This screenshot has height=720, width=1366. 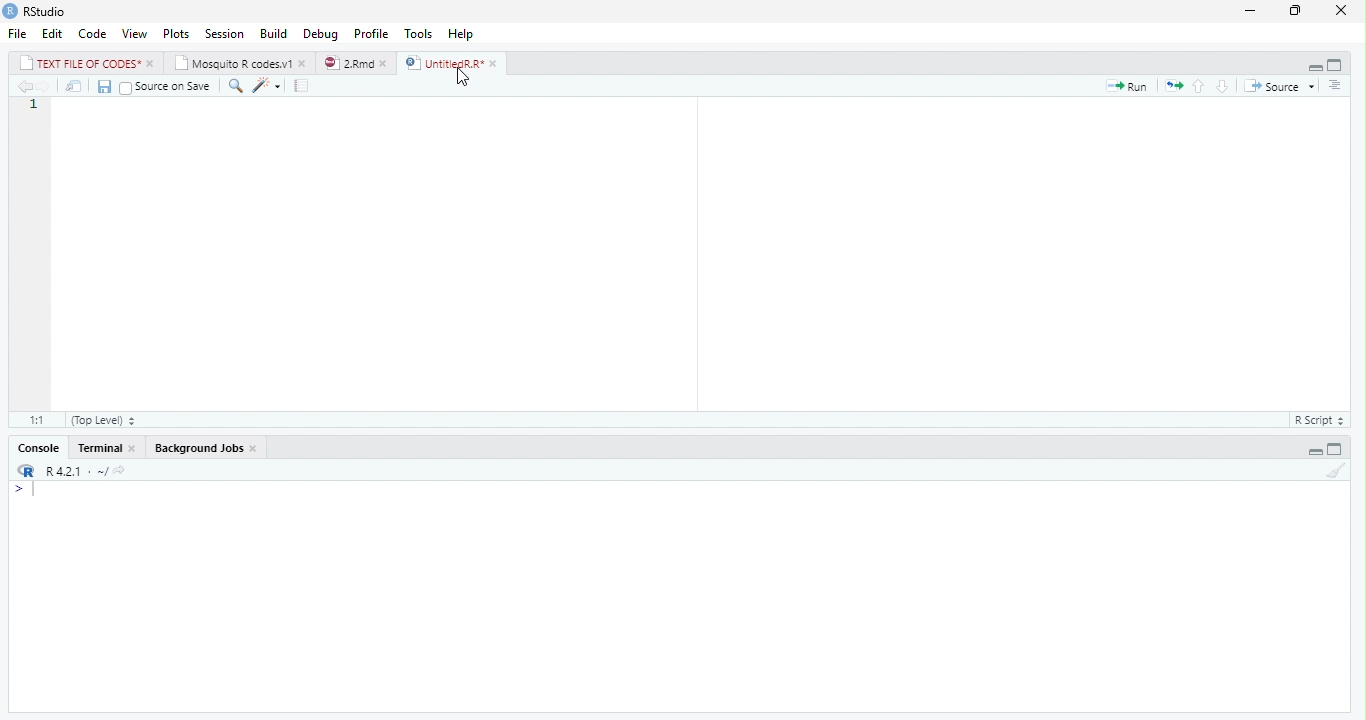 What do you see at coordinates (421, 33) in the screenshot?
I see `Tools` at bounding box center [421, 33].